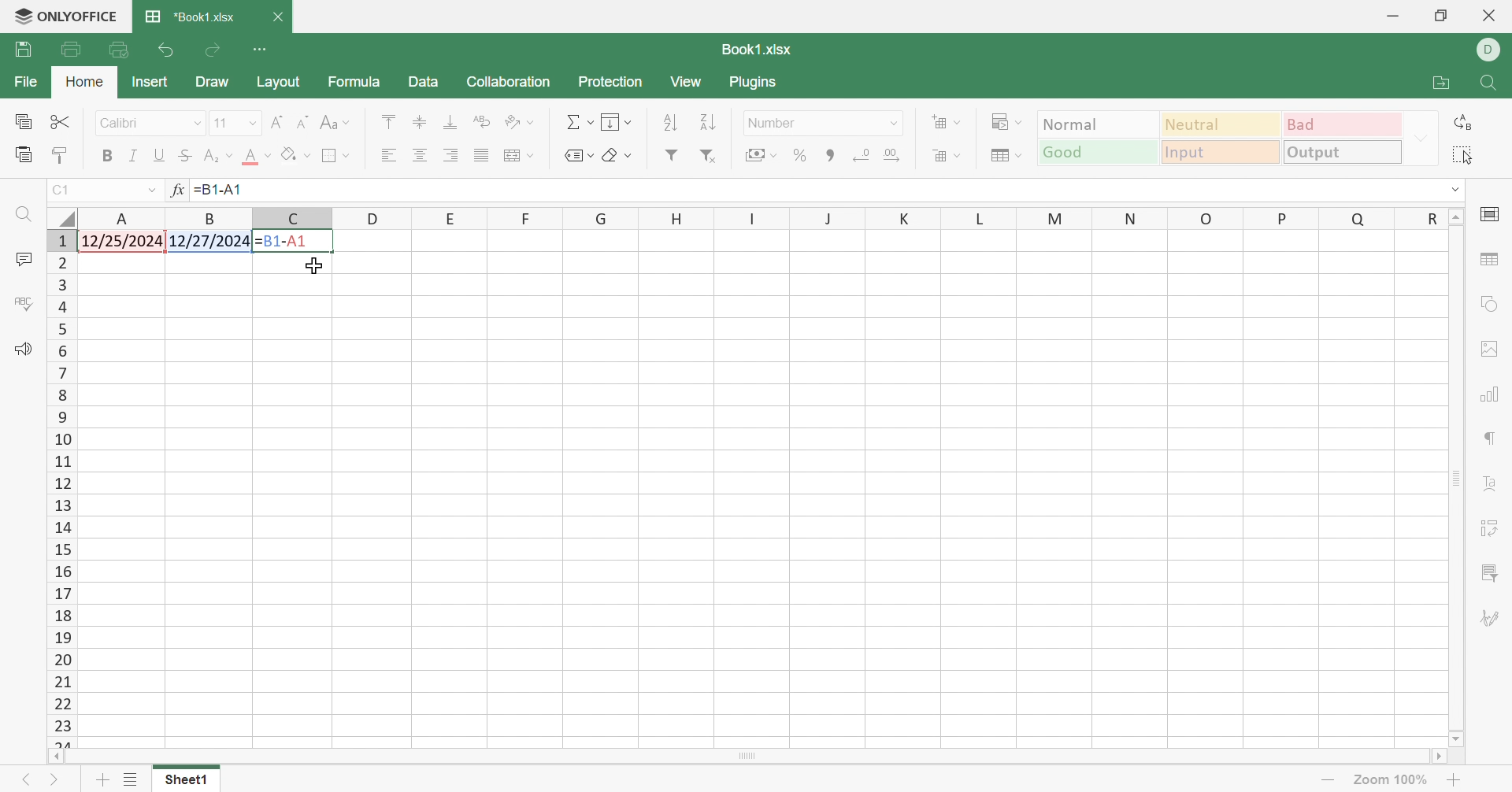  What do you see at coordinates (22, 258) in the screenshot?
I see `Comments` at bounding box center [22, 258].